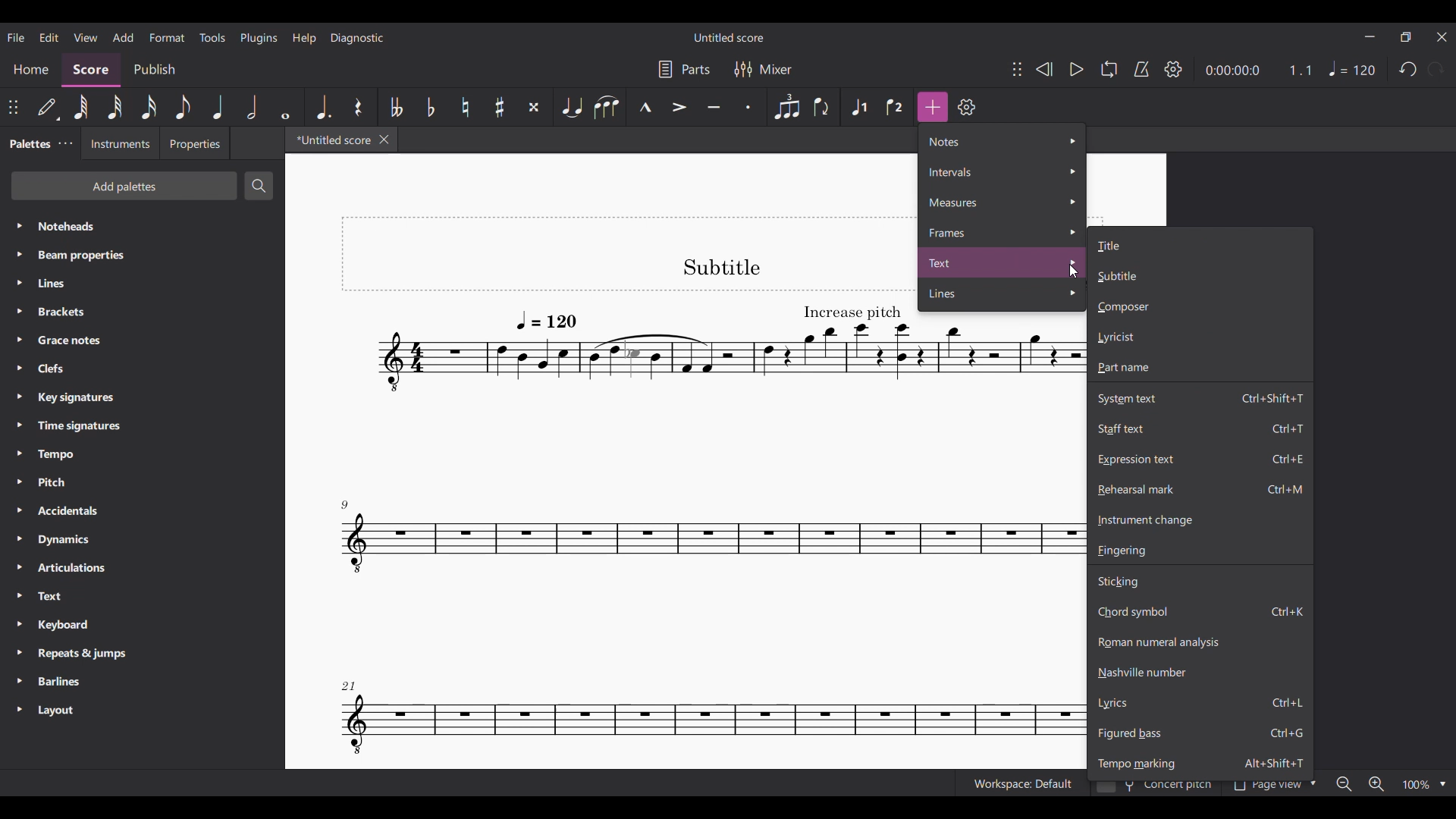  I want to click on Lines, so click(143, 283).